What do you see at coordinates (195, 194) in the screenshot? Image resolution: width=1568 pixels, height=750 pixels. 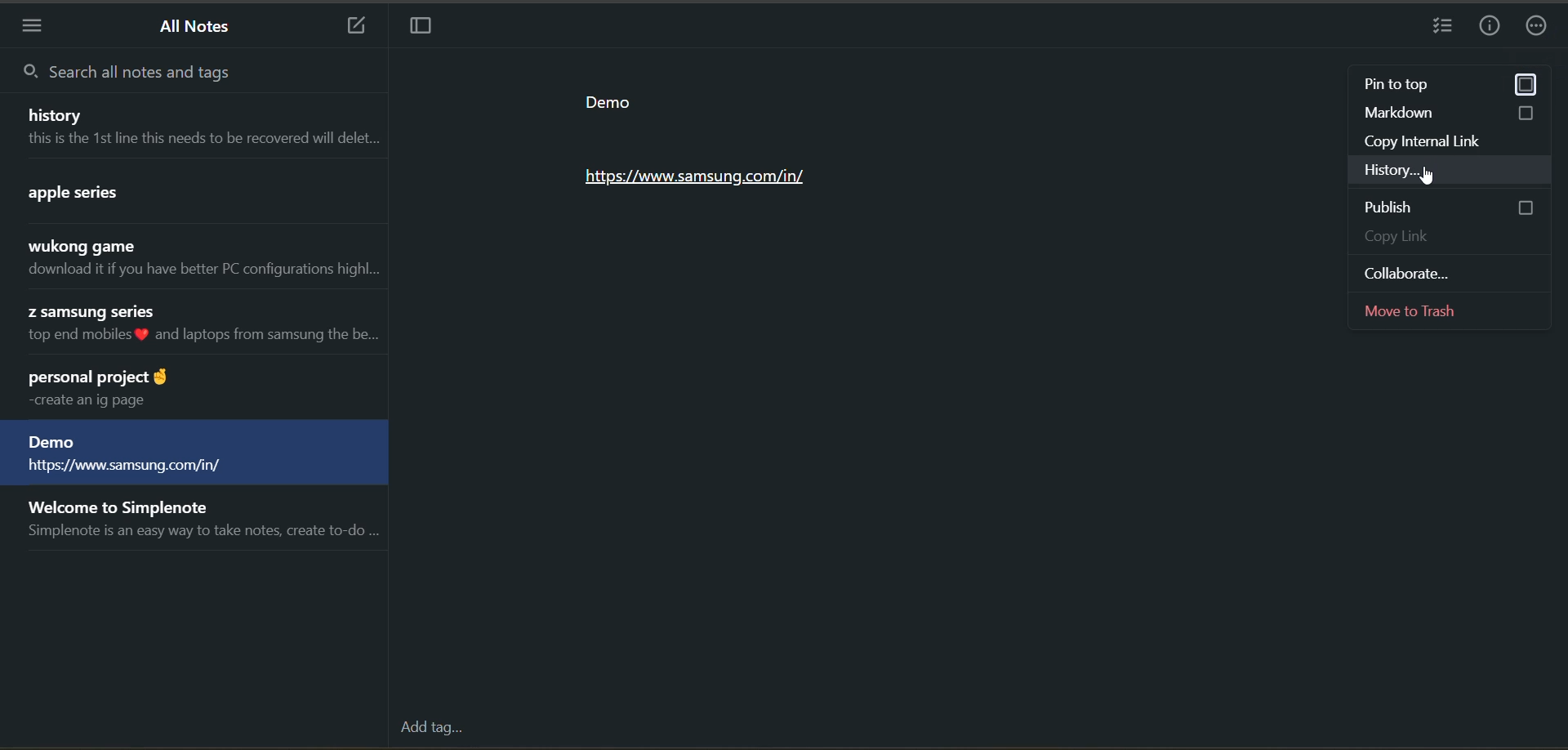 I see `note title and preview` at bounding box center [195, 194].